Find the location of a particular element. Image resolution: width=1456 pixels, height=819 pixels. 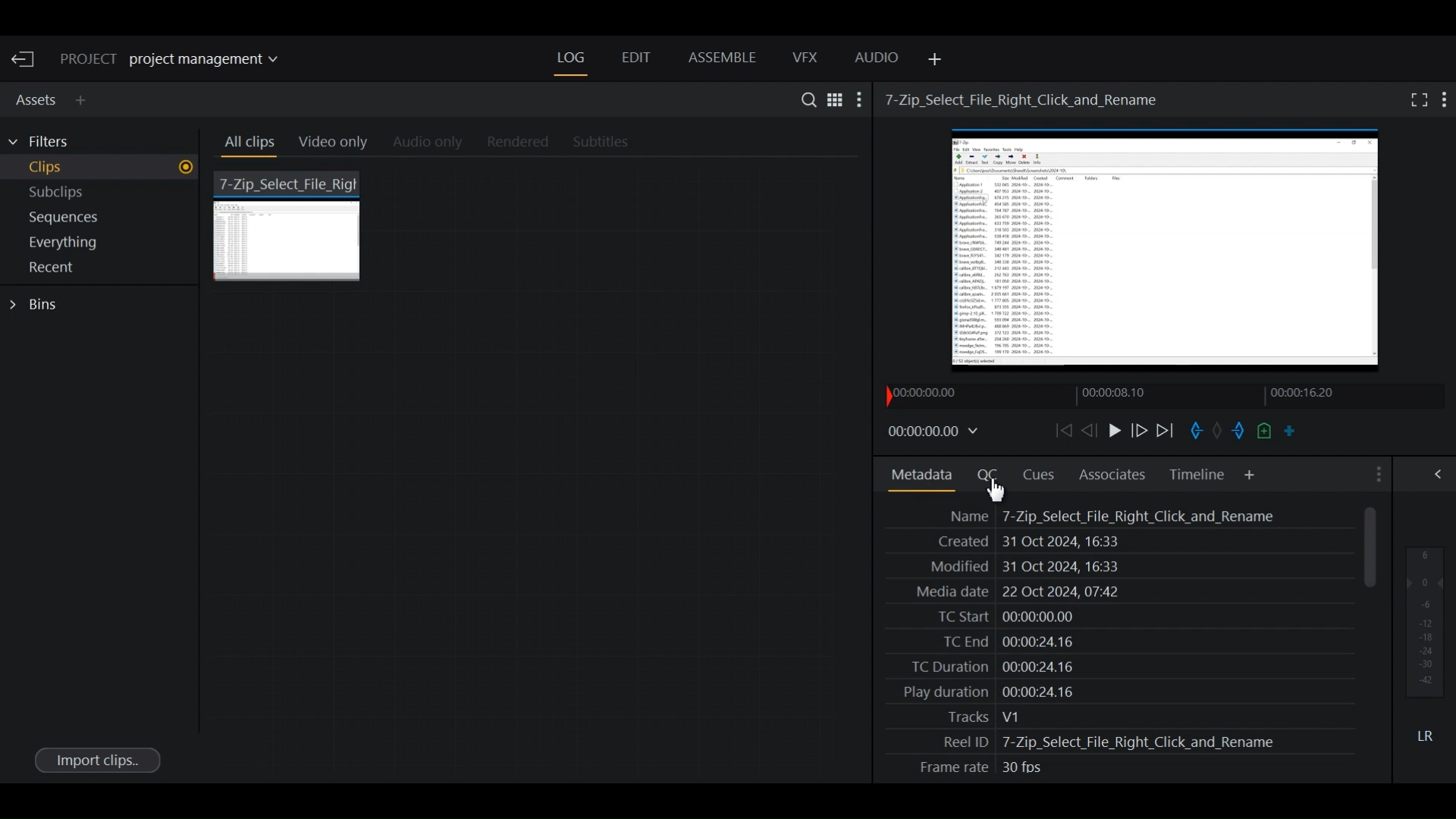

Log is located at coordinates (571, 58).